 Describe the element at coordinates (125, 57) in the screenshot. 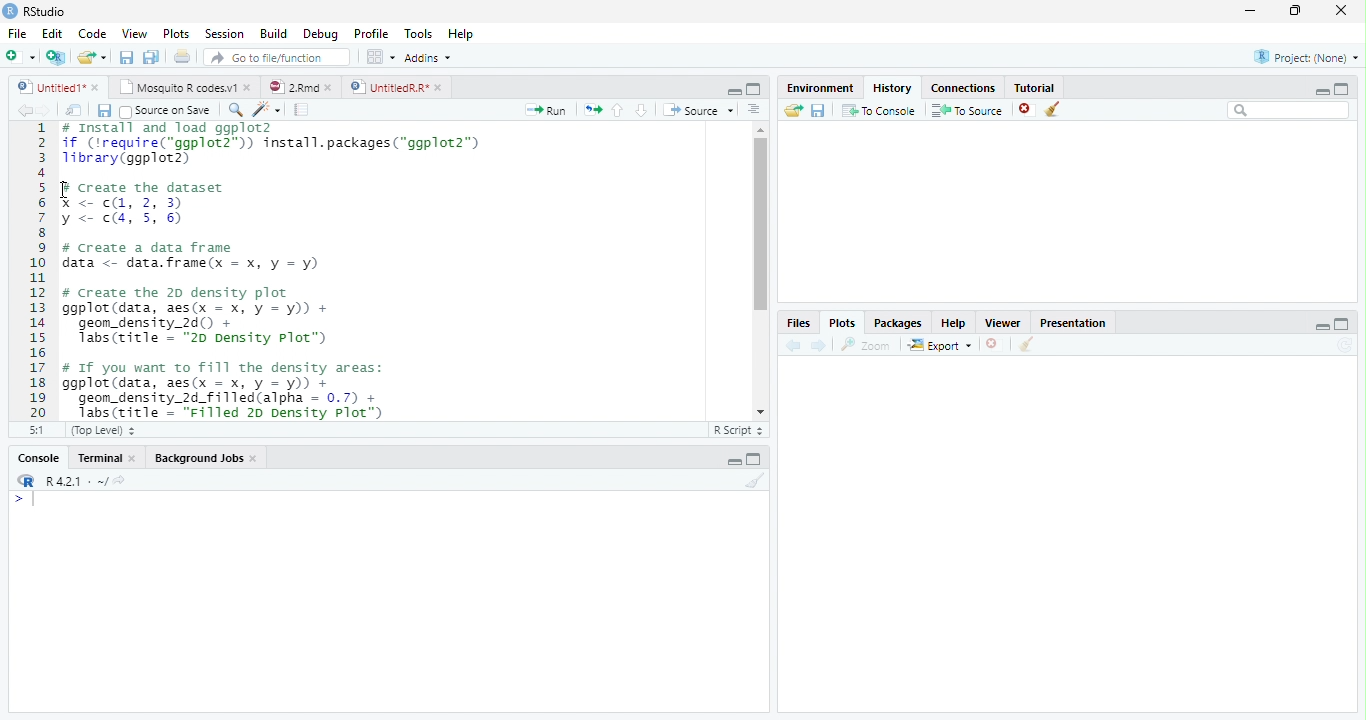

I see `save current document` at that location.